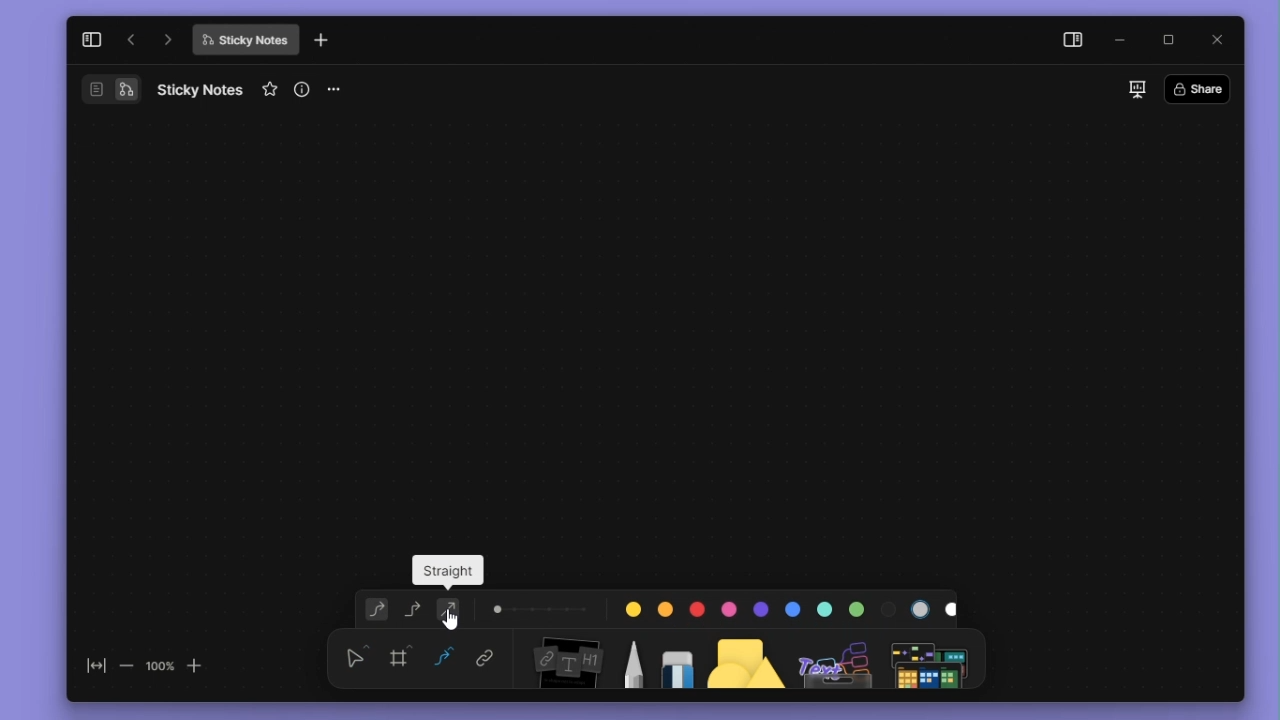 The height and width of the screenshot is (720, 1280). I want to click on close, so click(1219, 38).